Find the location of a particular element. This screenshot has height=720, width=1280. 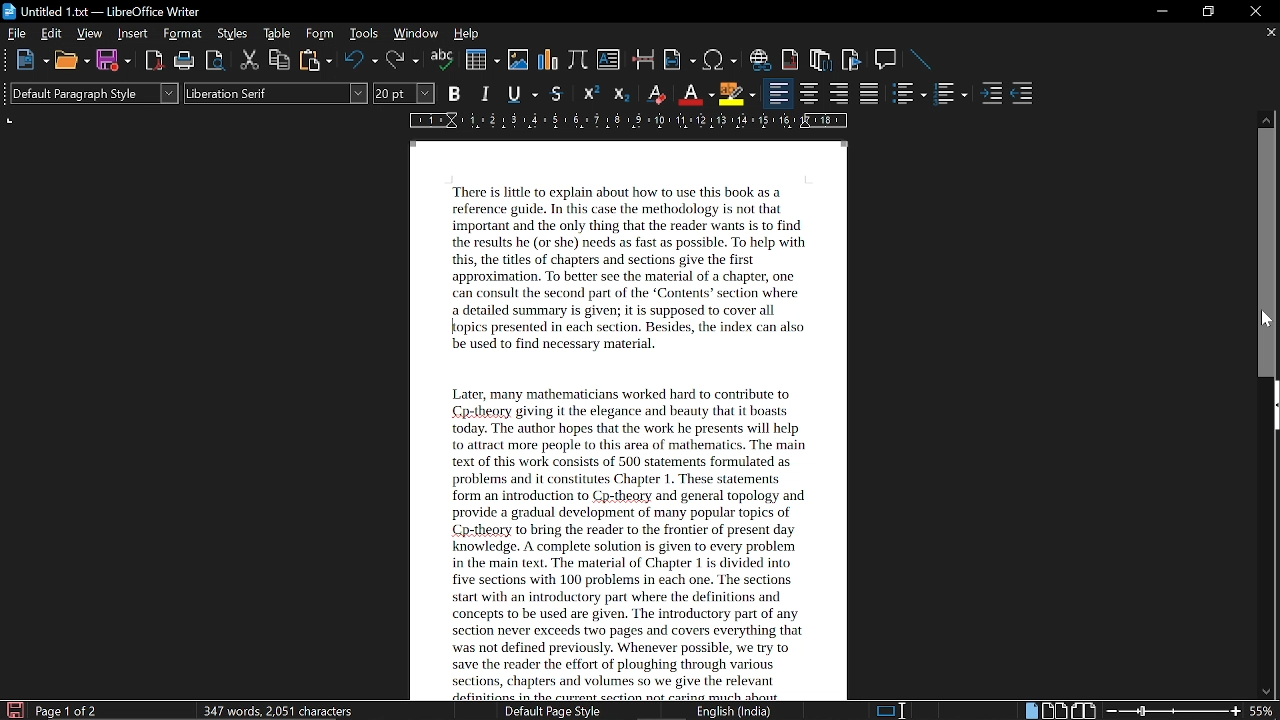

file is located at coordinates (16, 34).